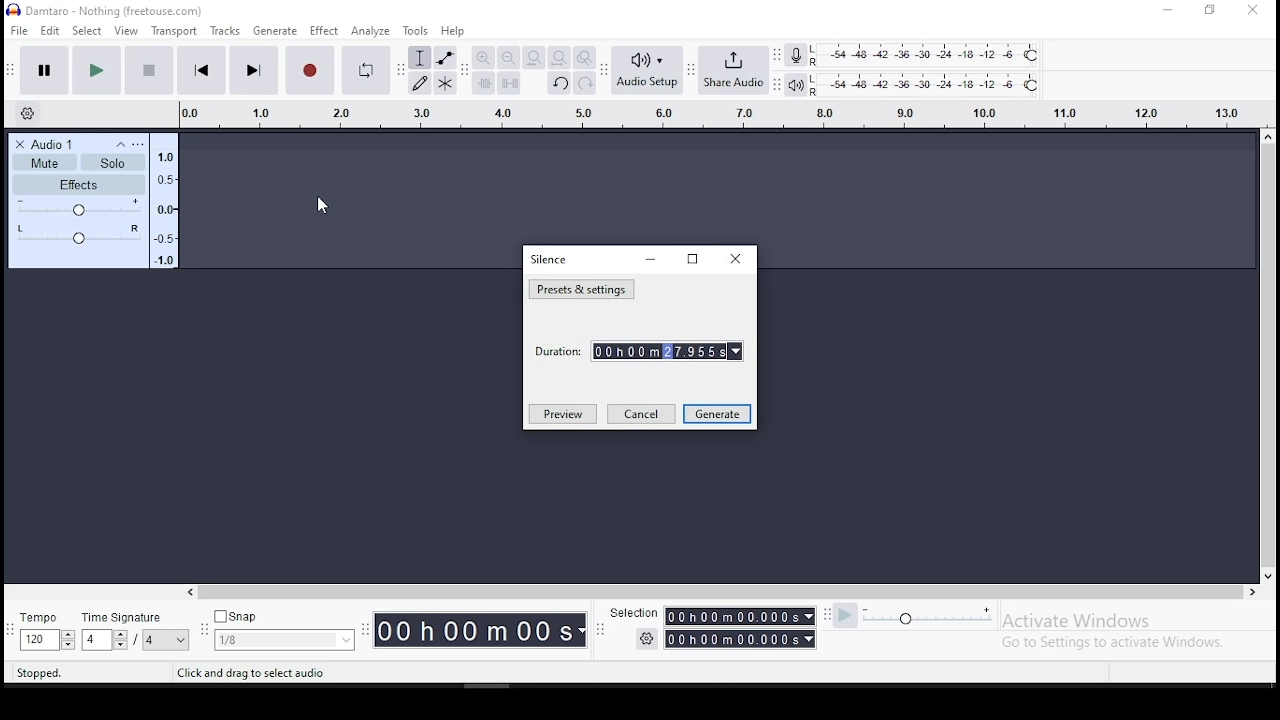  What do you see at coordinates (507, 83) in the screenshot?
I see `silence audio signal` at bounding box center [507, 83].